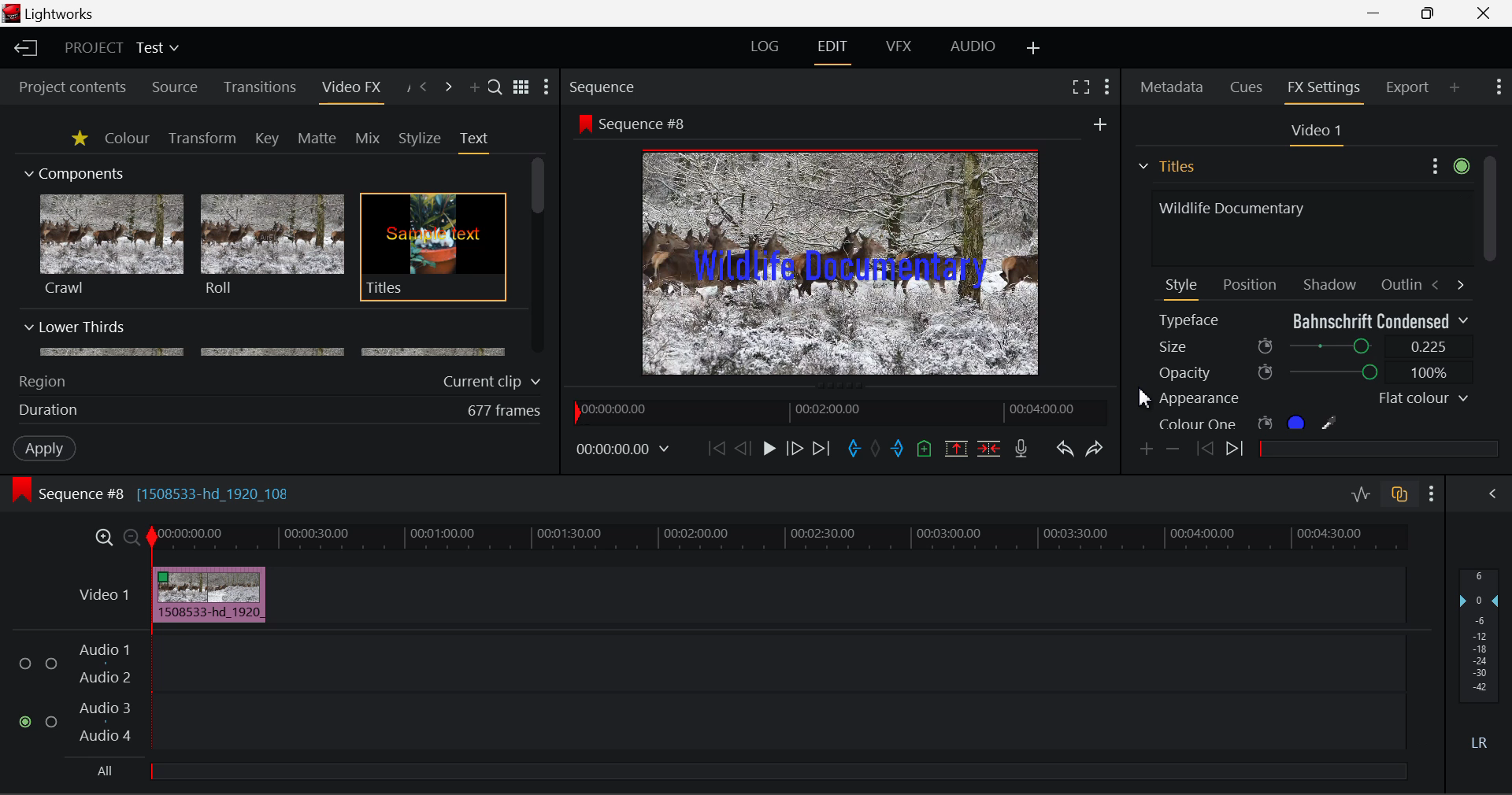 This screenshot has width=1512, height=795. Describe the element at coordinates (104, 542) in the screenshot. I see `Zoom In Timeline` at that location.